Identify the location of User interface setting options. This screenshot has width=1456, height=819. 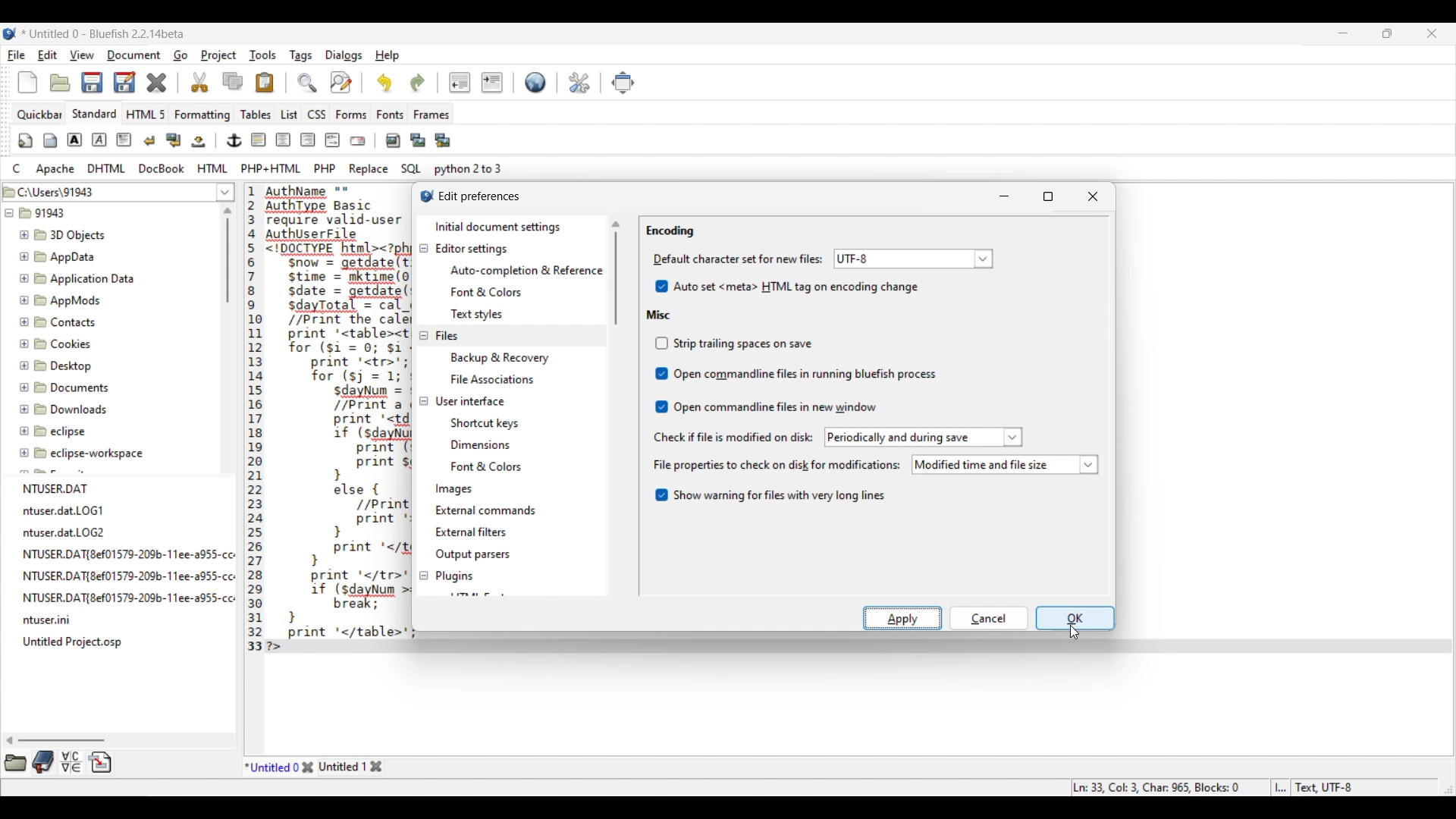
(499, 445).